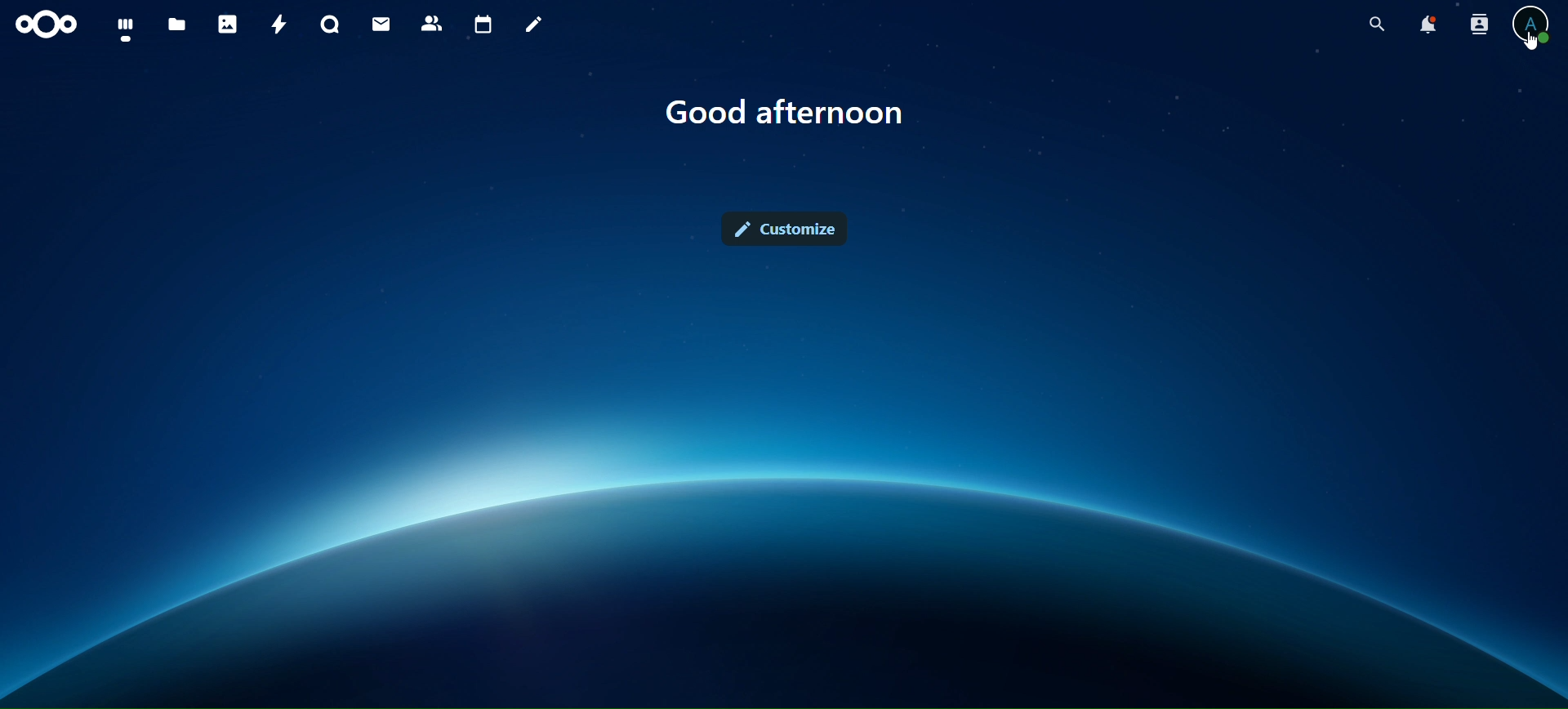  Describe the element at coordinates (1375, 25) in the screenshot. I see `search` at that location.